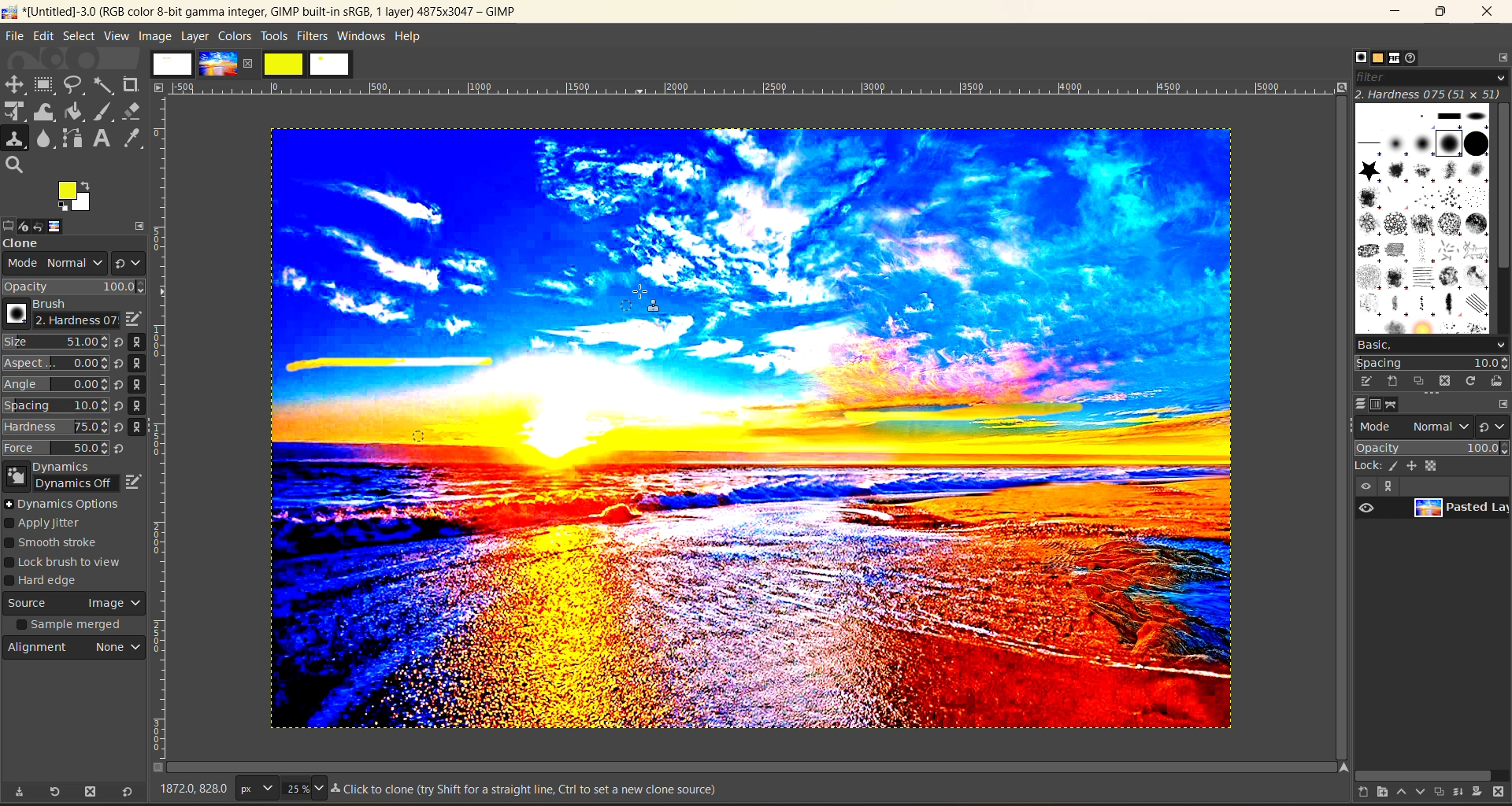 Image resolution: width=1512 pixels, height=806 pixels. Describe the element at coordinates (251, 63) in the screenshot. I see `close` at that location.